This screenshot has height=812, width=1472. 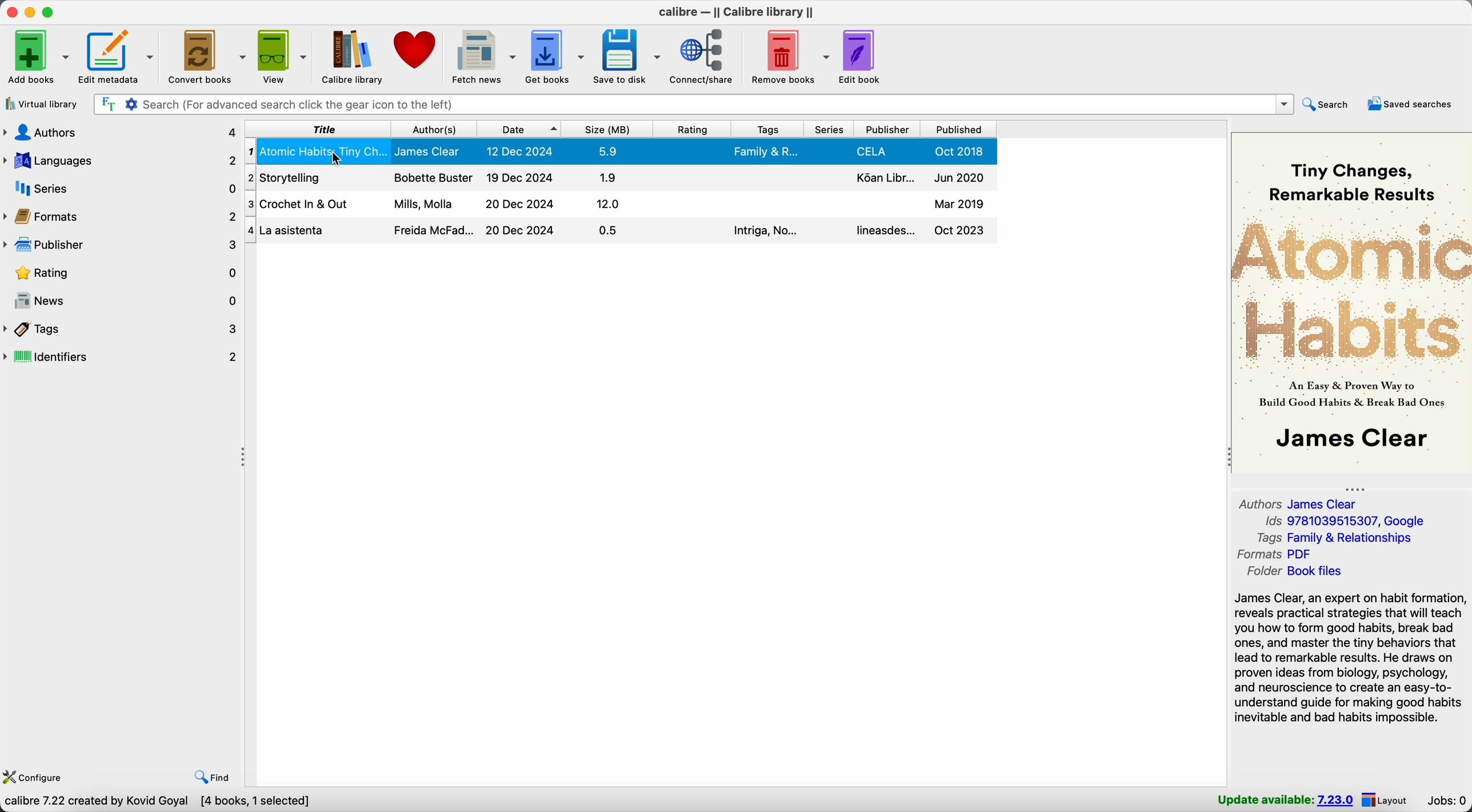 What do you see at coordinates (37, 59) in the screenshot?
I see `add books` at bounding box center [37, 59].